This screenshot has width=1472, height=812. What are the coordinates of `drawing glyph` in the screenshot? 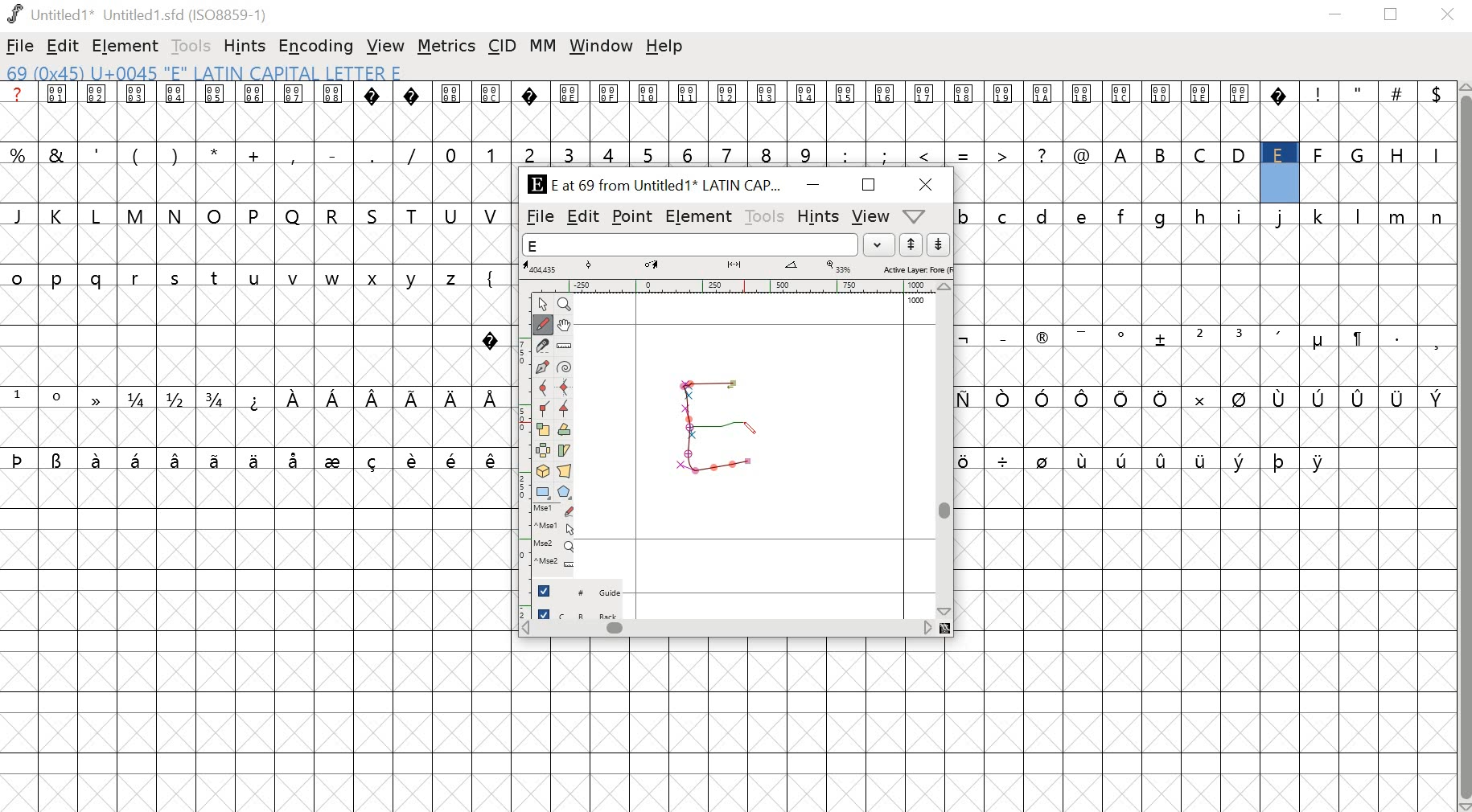 It's located at (714, 425).